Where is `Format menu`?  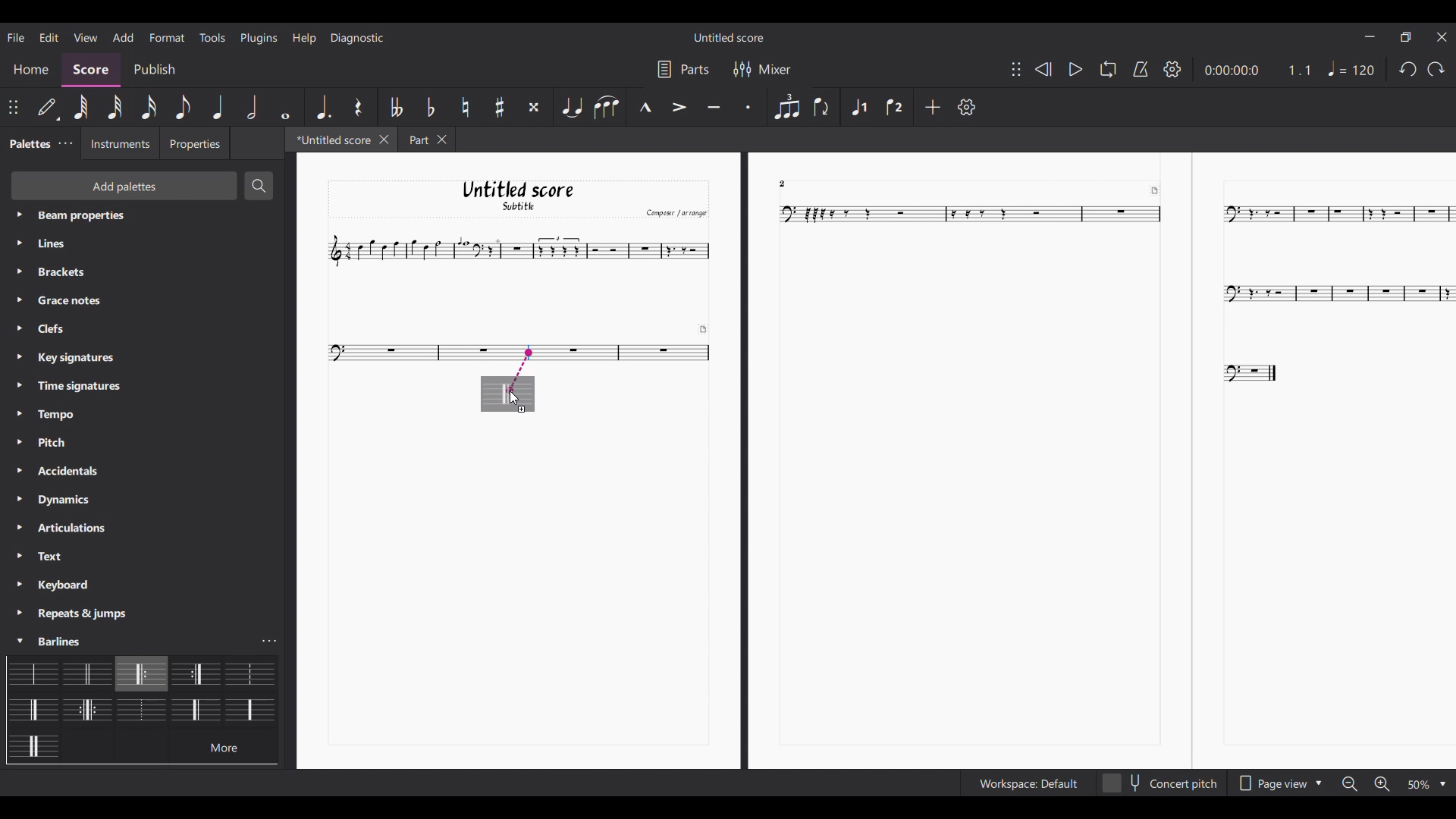
Format menu is located at coordinates (166, 37).